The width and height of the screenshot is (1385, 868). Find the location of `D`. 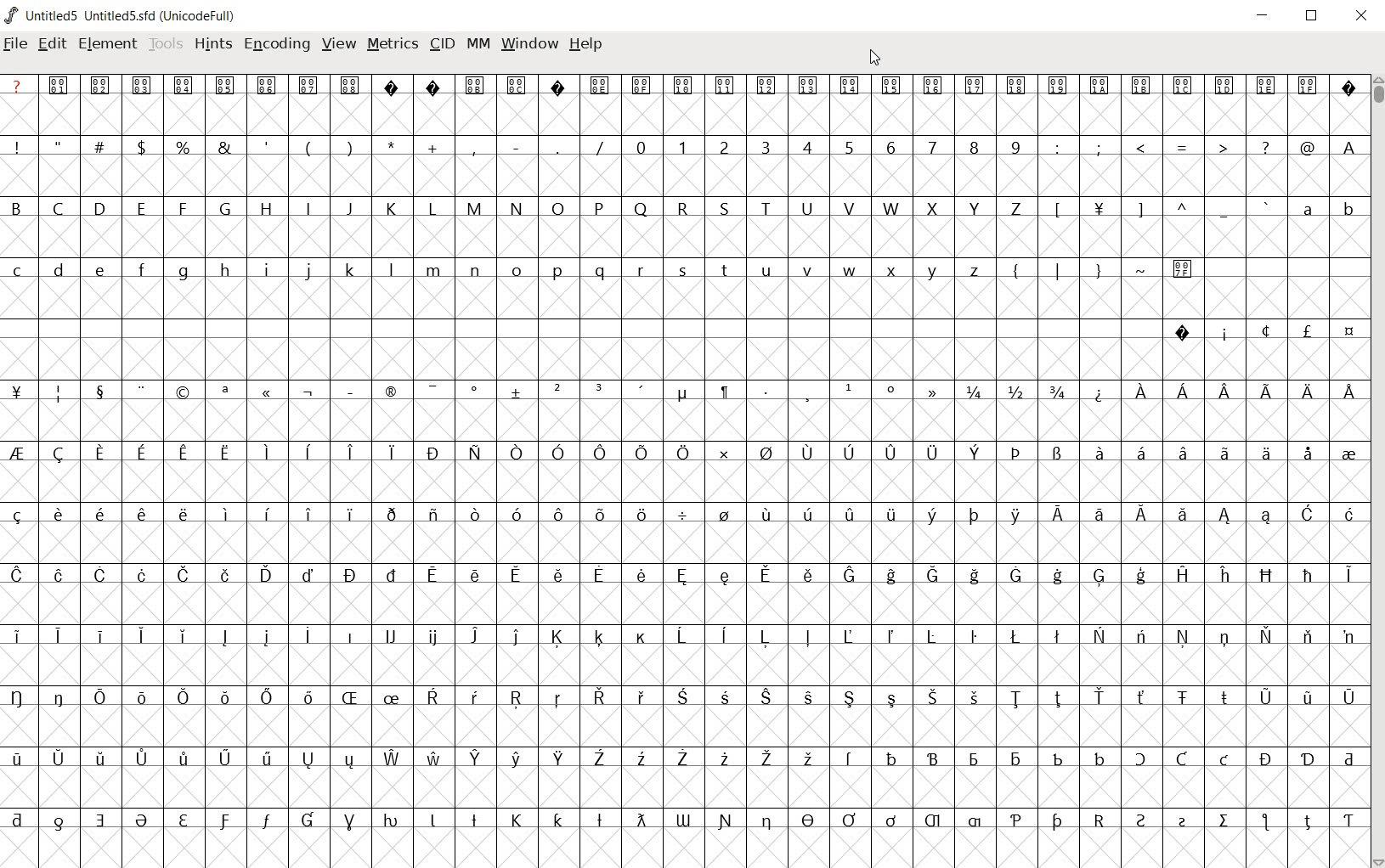

D is located at coordinates (99, 207).